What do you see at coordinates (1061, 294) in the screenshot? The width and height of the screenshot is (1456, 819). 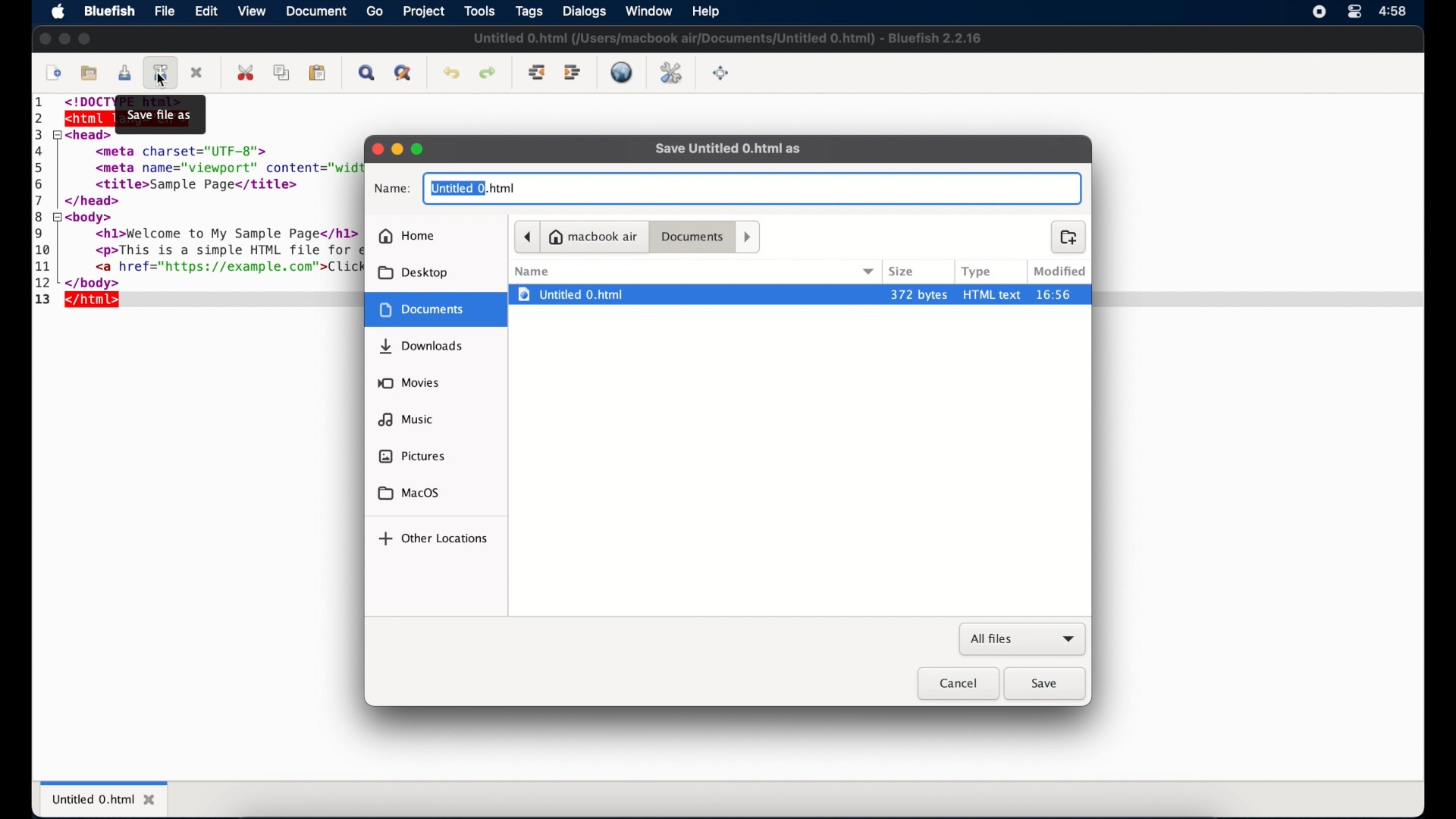 I see `modified time` at bounding box center [1061, 294].